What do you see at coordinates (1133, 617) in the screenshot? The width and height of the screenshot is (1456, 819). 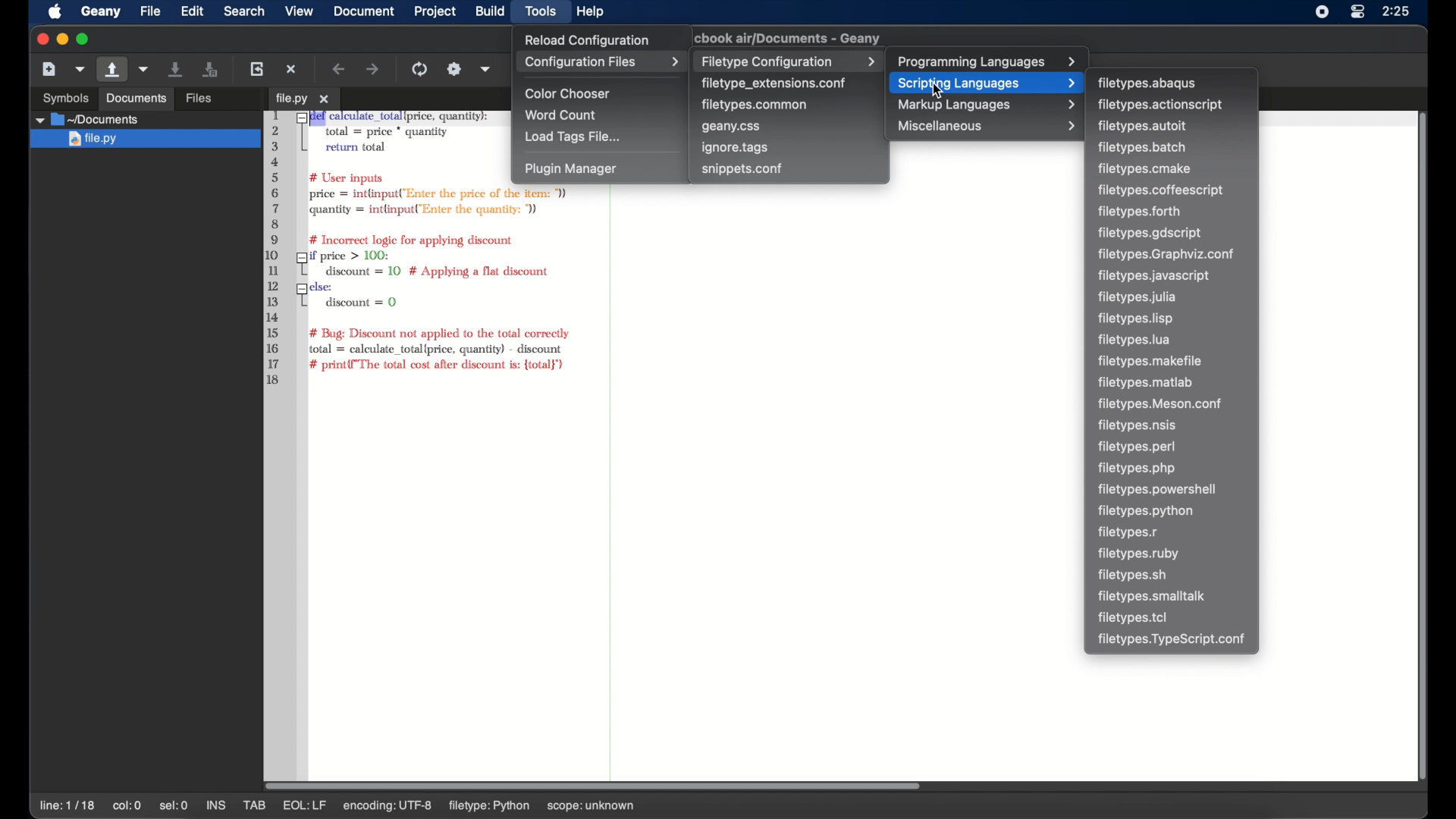 I see `filetypes` at bounding box center [1133, 617].